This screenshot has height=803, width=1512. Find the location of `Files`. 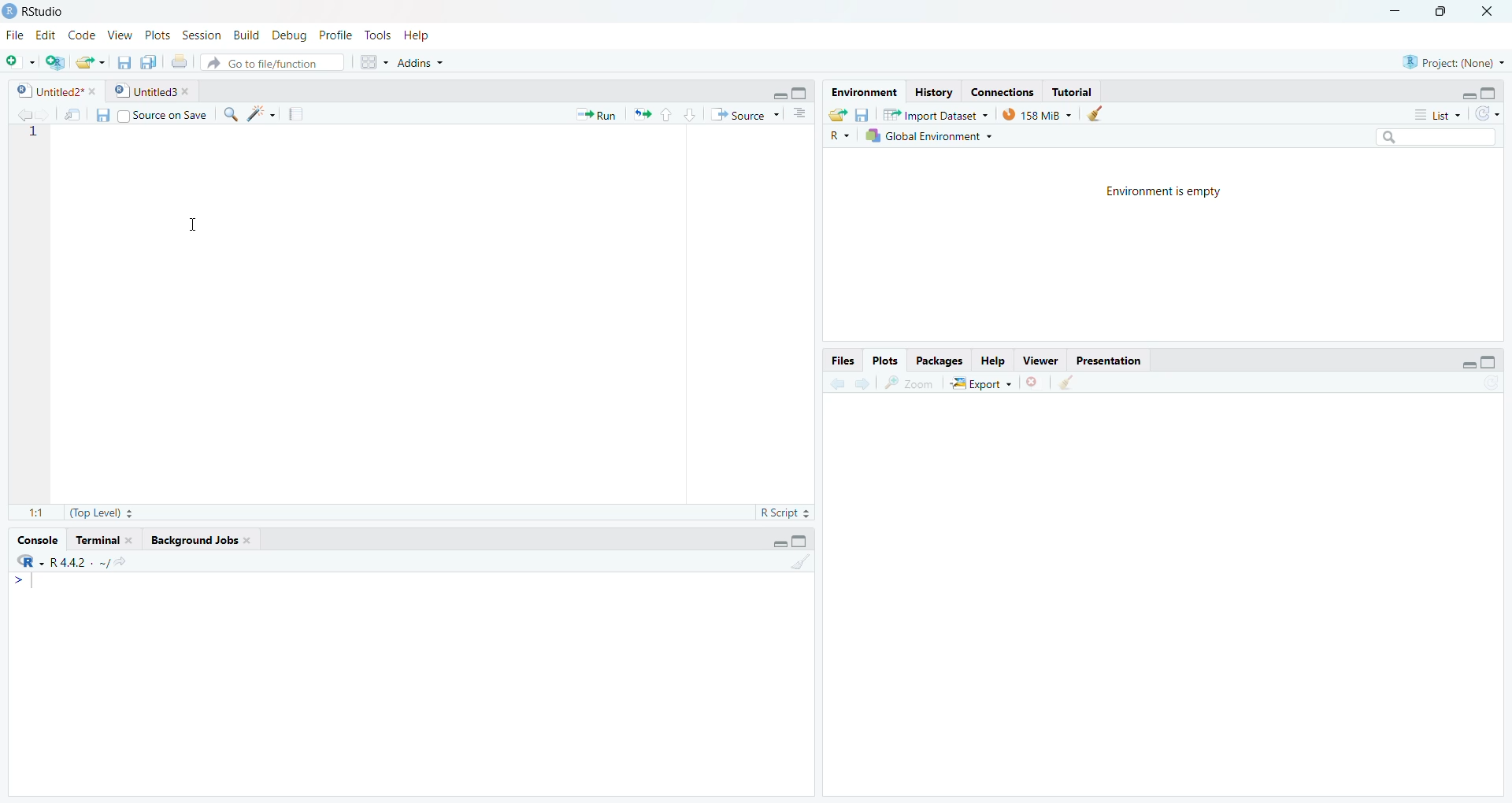

Files is located at coordinates (842, 360).